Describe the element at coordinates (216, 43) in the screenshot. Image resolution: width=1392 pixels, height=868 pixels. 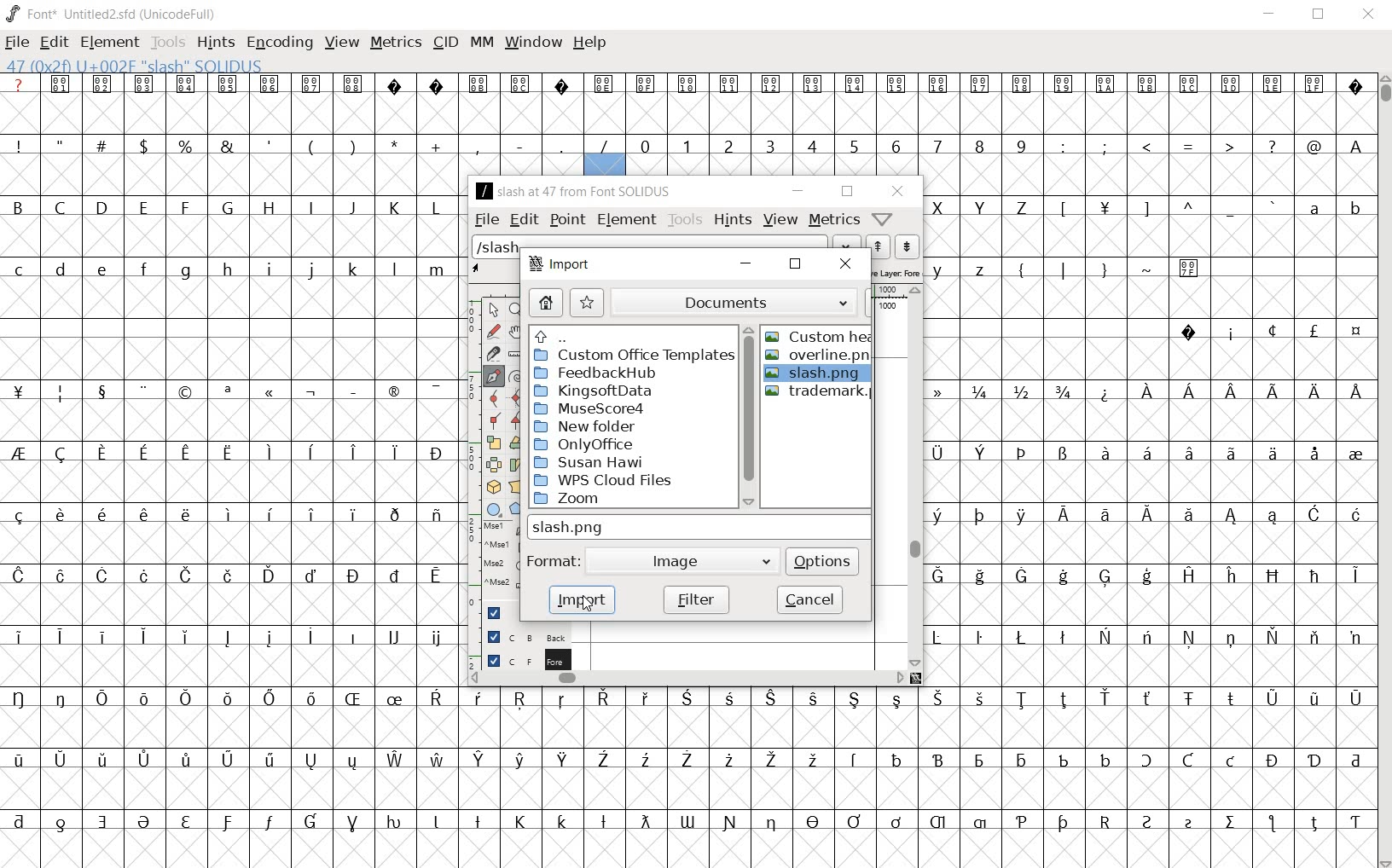
I see `HINTS` at that location.